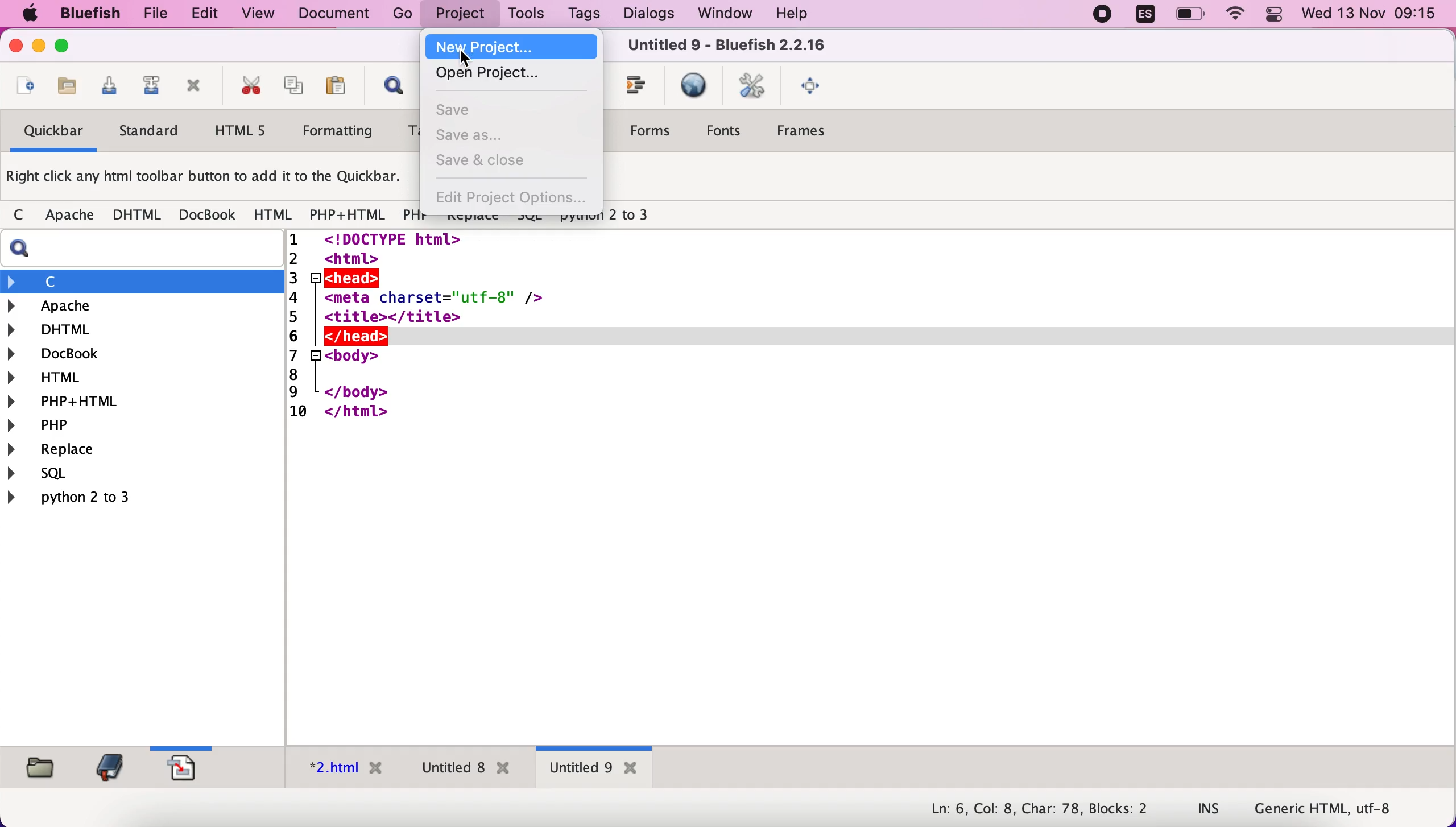 The height and width of the screenshot is (827, 1456). Describe the element at coordinates (23, 88) in the screenshot. I see `open file` at that location.